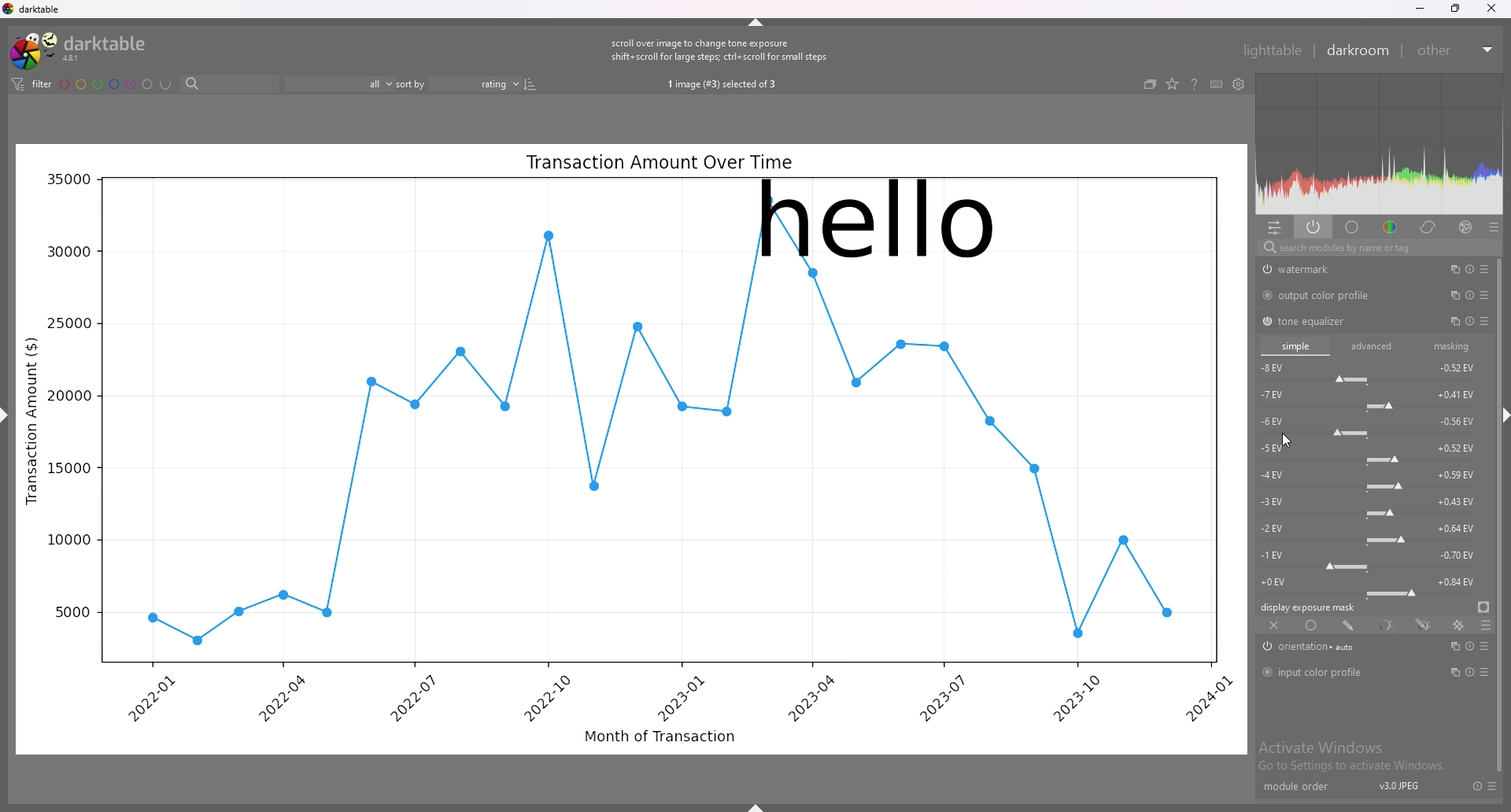  Describe the element at coordinates (31, 86) in the screenshot. I see `filter` at that location.